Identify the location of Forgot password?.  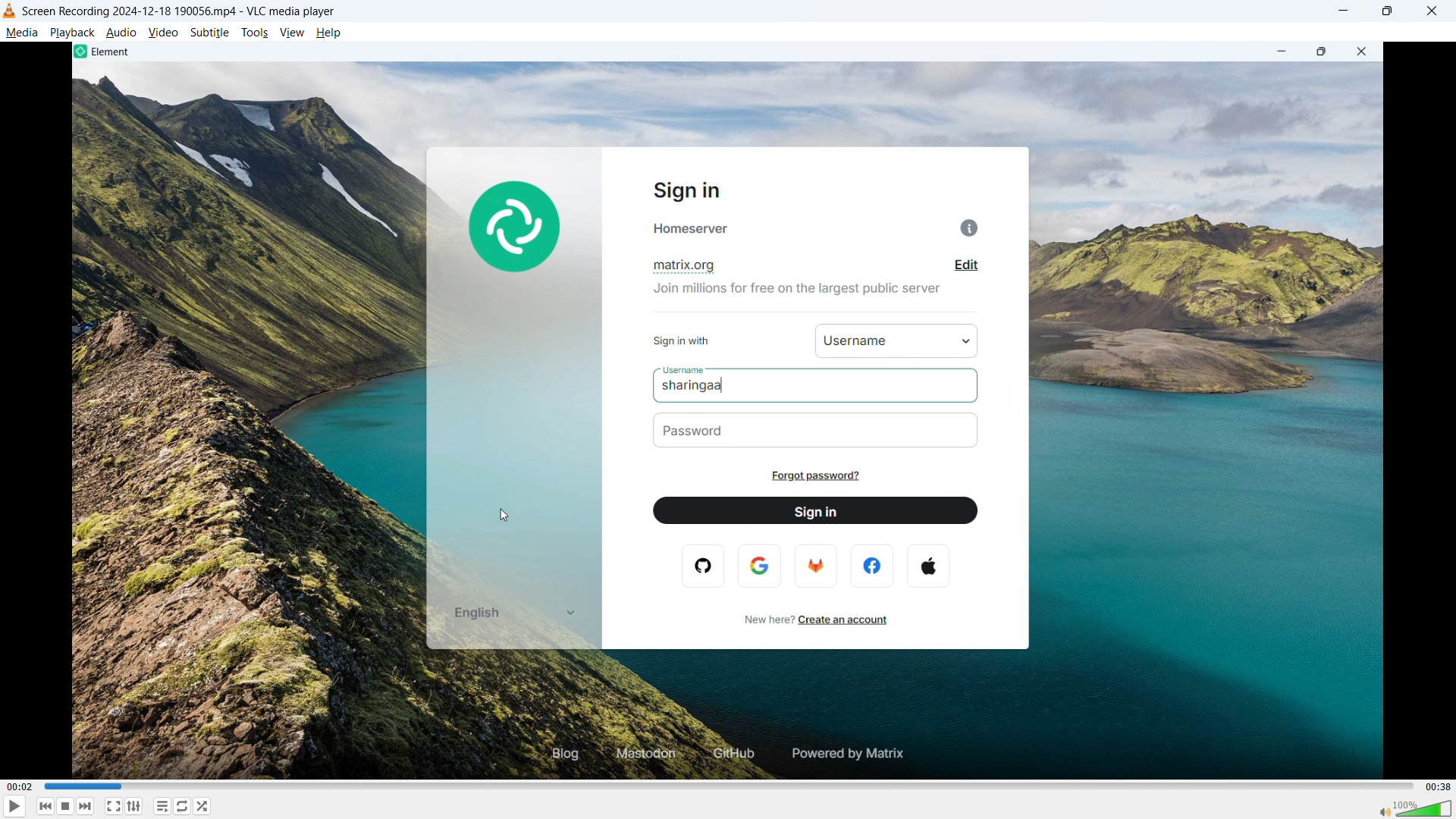
(821, 477).